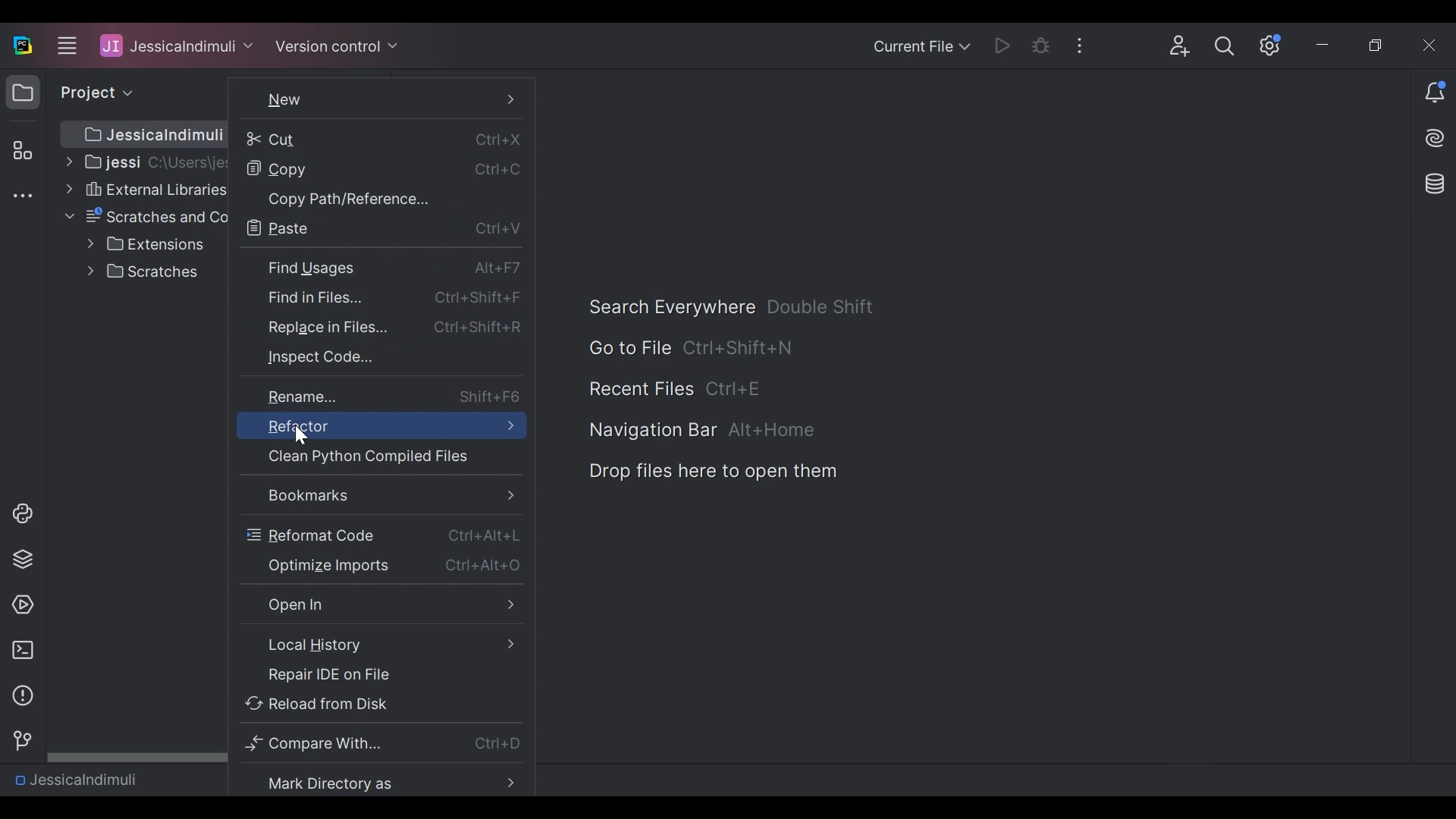 The height and width of the screenshot is (819, 1456). Describe the element at coordinates (640, 390) in the screenshot. I see `Recent Files` at that location.